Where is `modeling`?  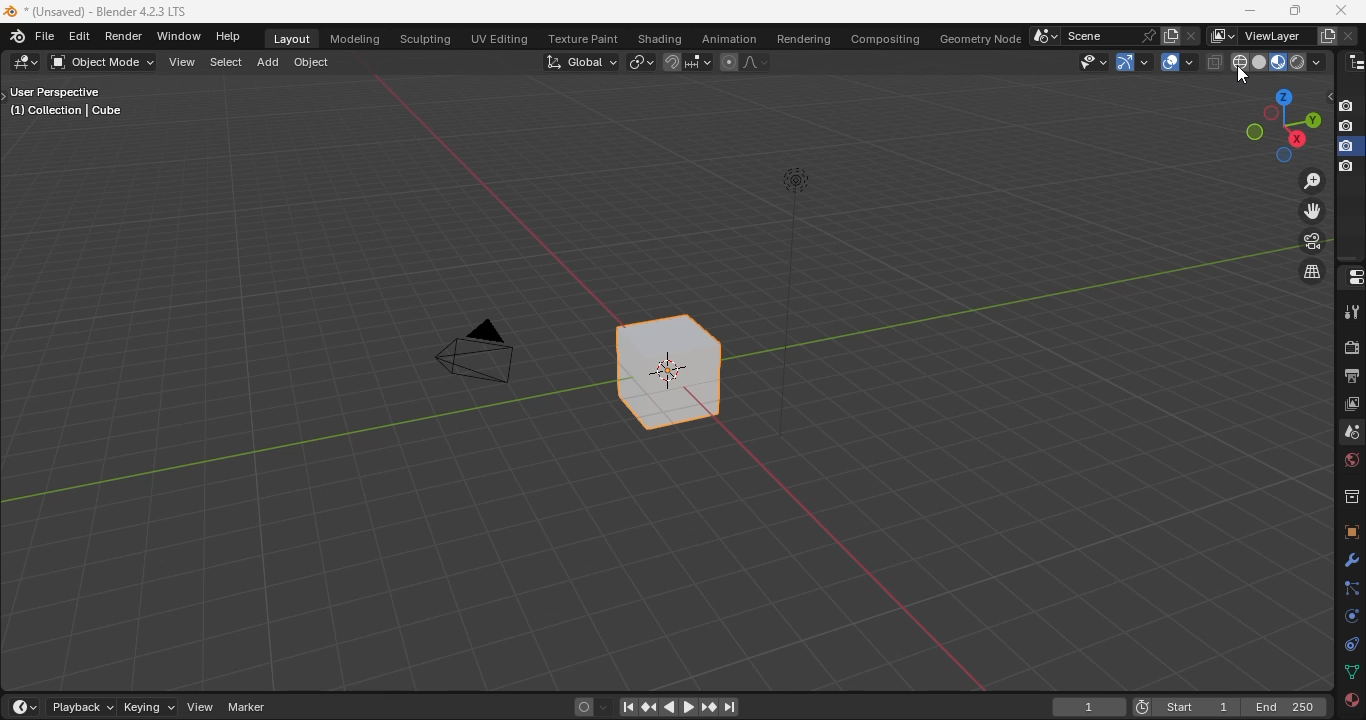
modeling is located at coordinates (357, 39).